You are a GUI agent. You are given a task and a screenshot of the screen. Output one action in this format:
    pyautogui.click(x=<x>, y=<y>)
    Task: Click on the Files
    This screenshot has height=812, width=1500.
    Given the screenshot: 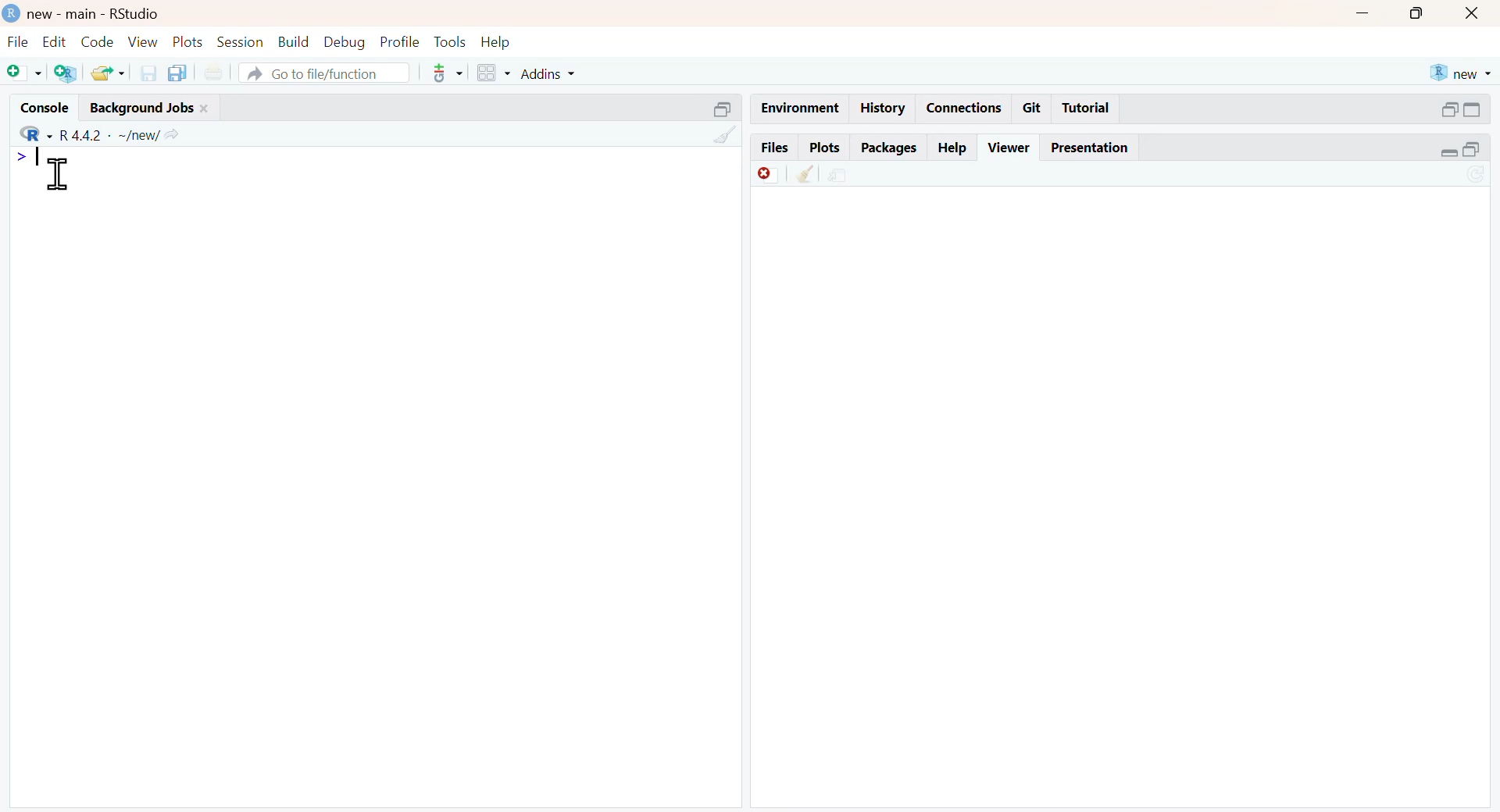 What is the action you would take?
    pyautogui.click(x=775, y=148)
    